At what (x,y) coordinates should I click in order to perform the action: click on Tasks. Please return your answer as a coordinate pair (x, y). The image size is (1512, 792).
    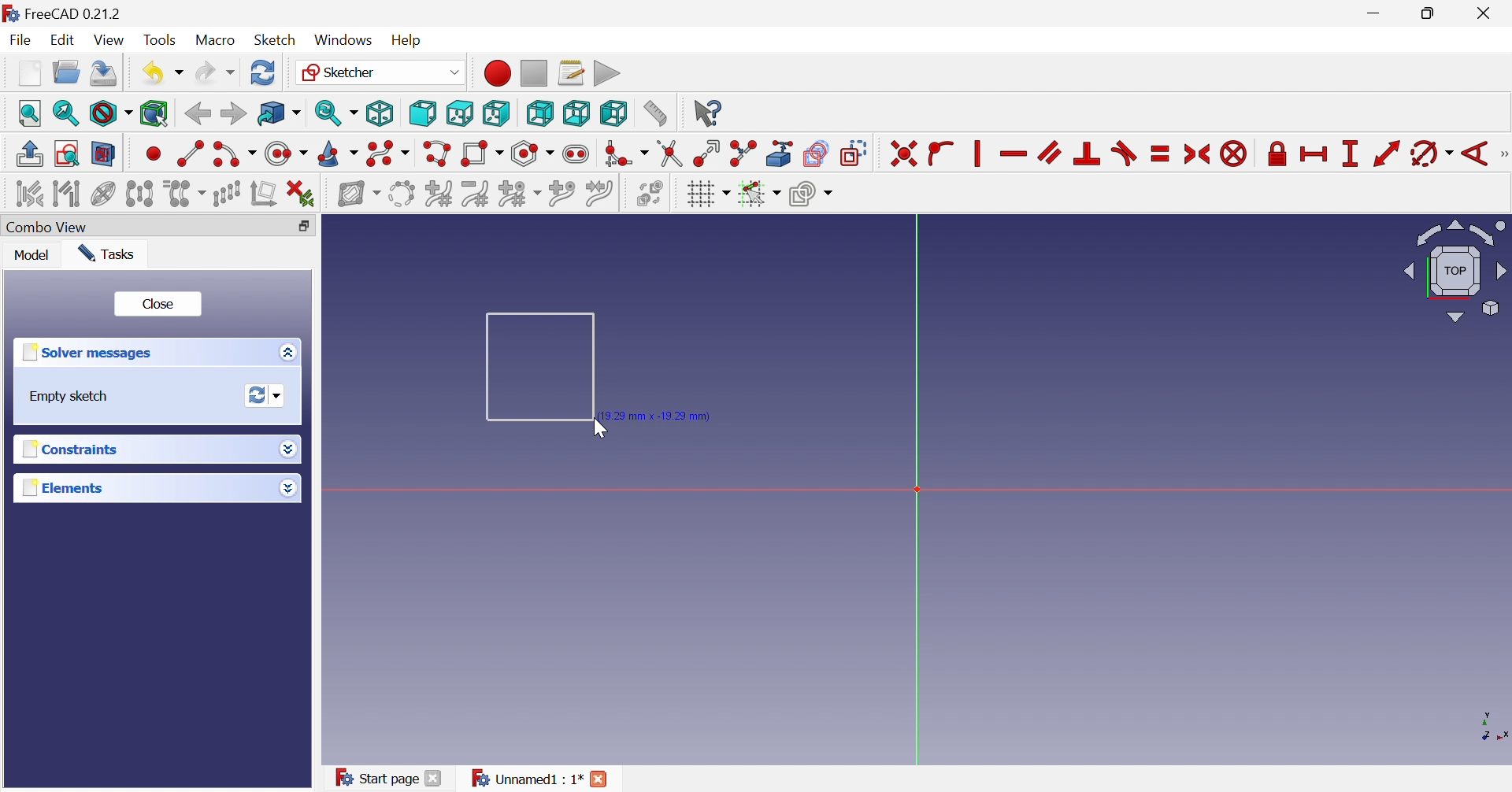
    Looking at the image, I should click on (108, 254).